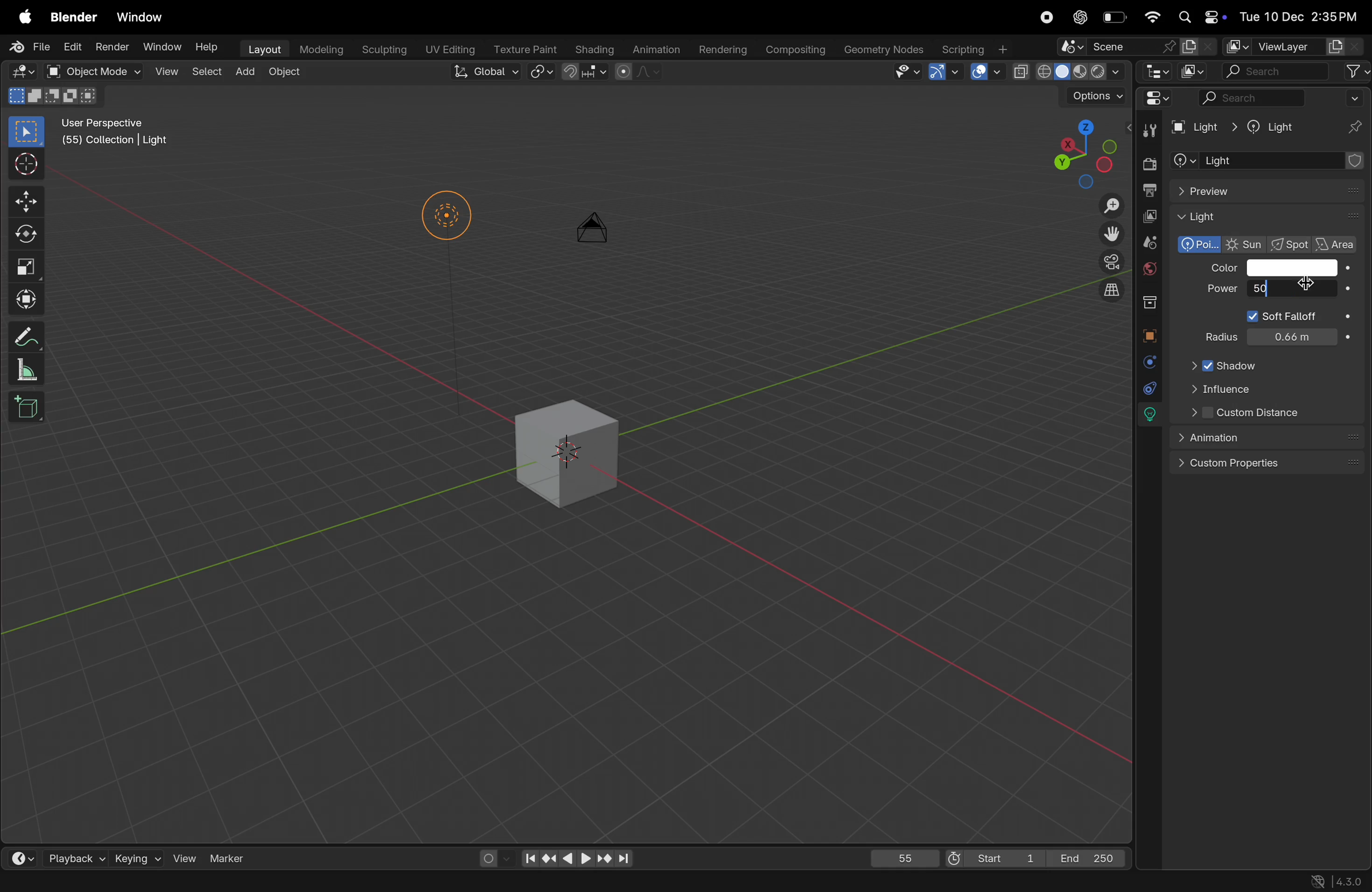  What do you see at coordinates (21, 16) in the screenshot?
I see `apple menu` at bounding box center [21, 16].